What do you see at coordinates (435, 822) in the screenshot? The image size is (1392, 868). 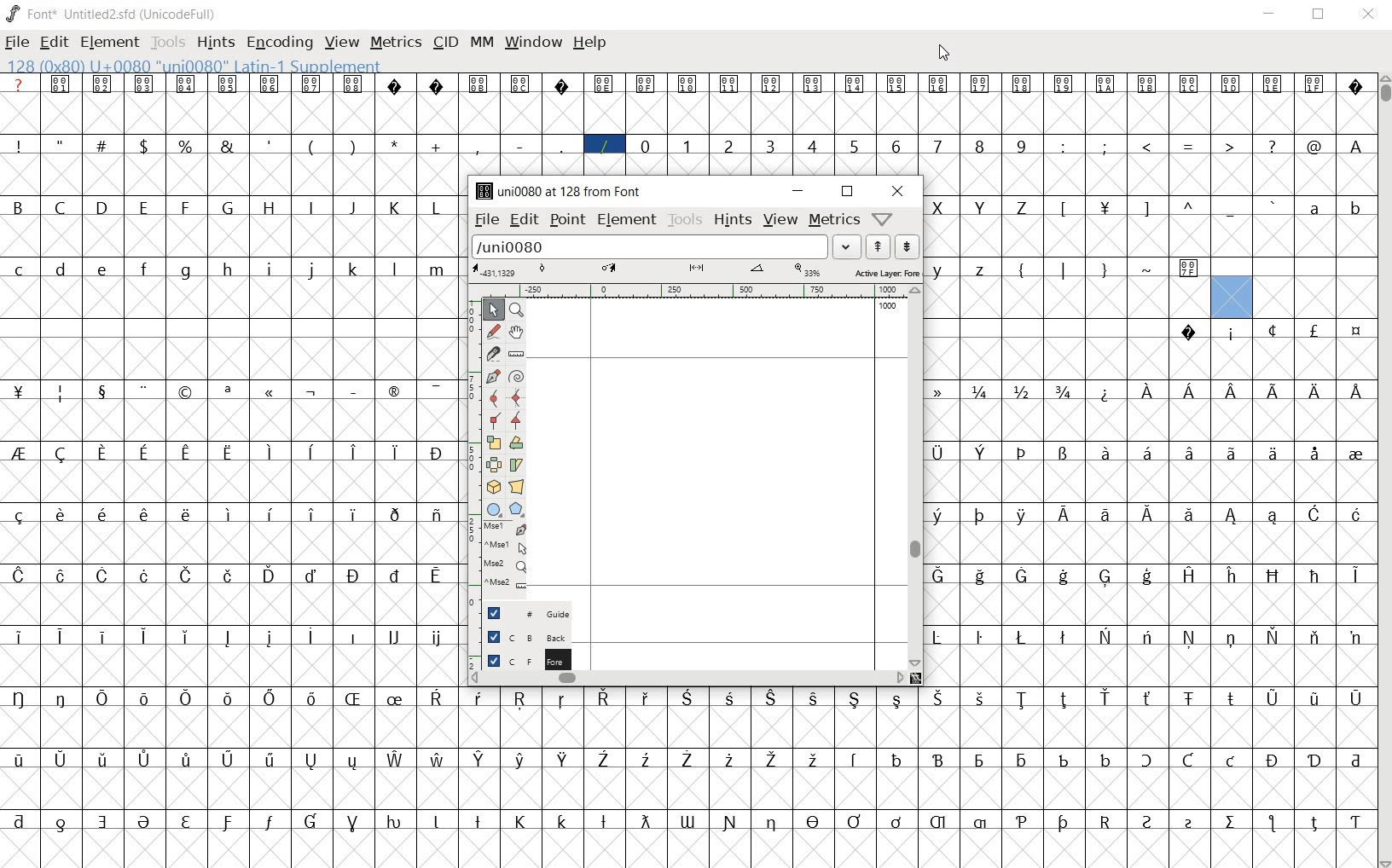 I see `glyph` at bounding box center [435, 822].